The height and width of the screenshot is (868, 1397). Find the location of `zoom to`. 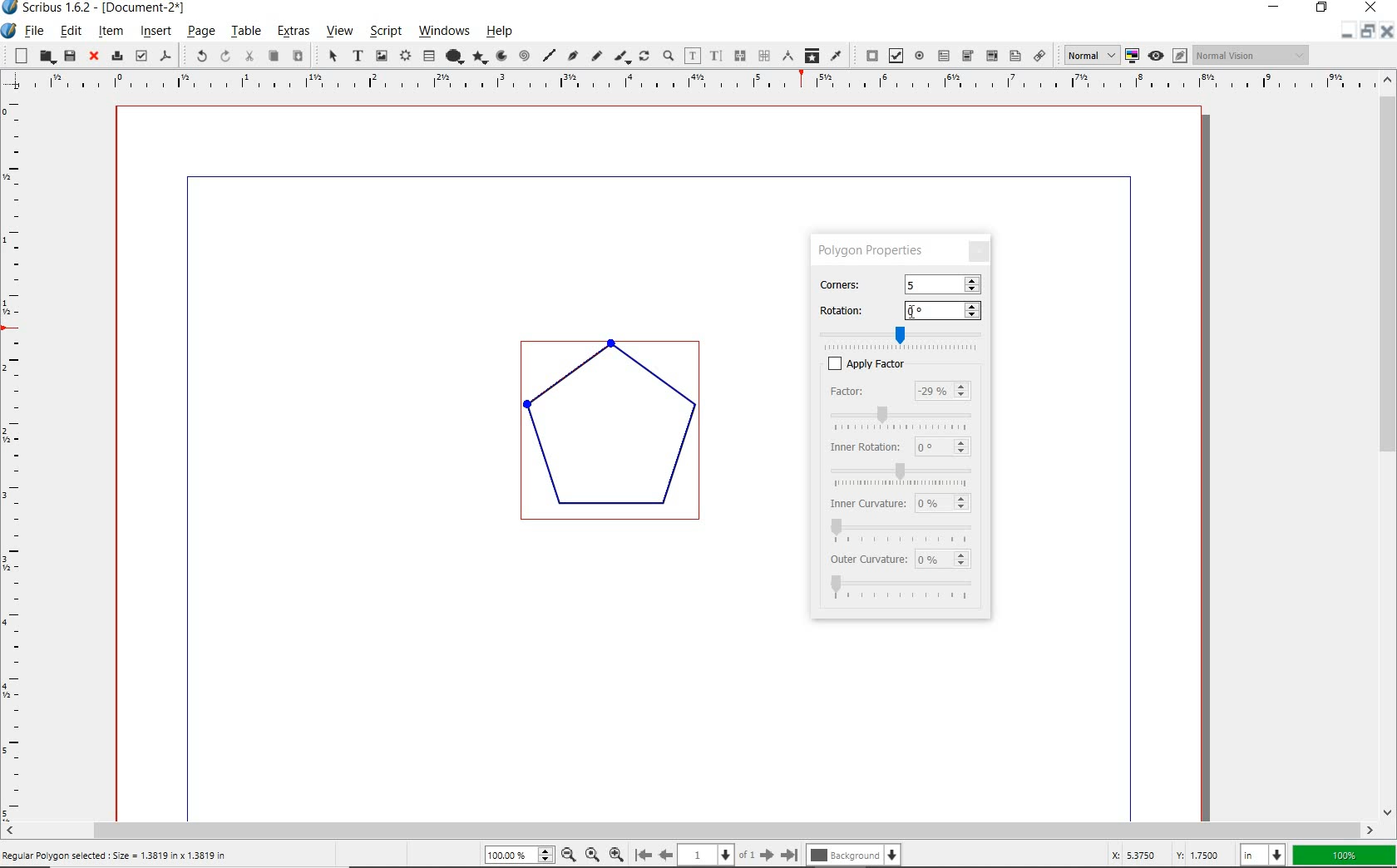

zoom to is located at coordinates (591, 855).